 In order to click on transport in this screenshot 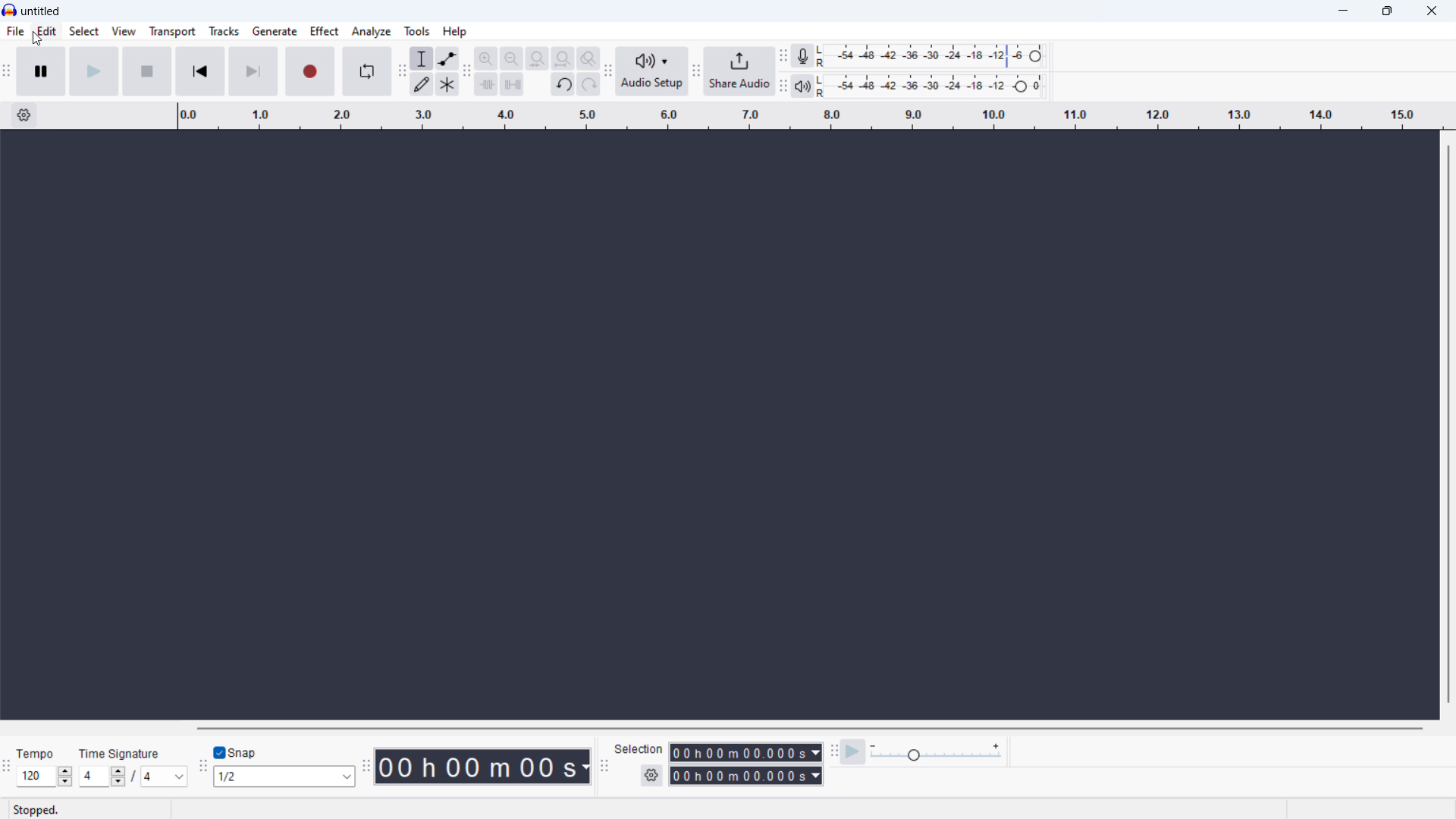, I will do `click(173, 32)`.